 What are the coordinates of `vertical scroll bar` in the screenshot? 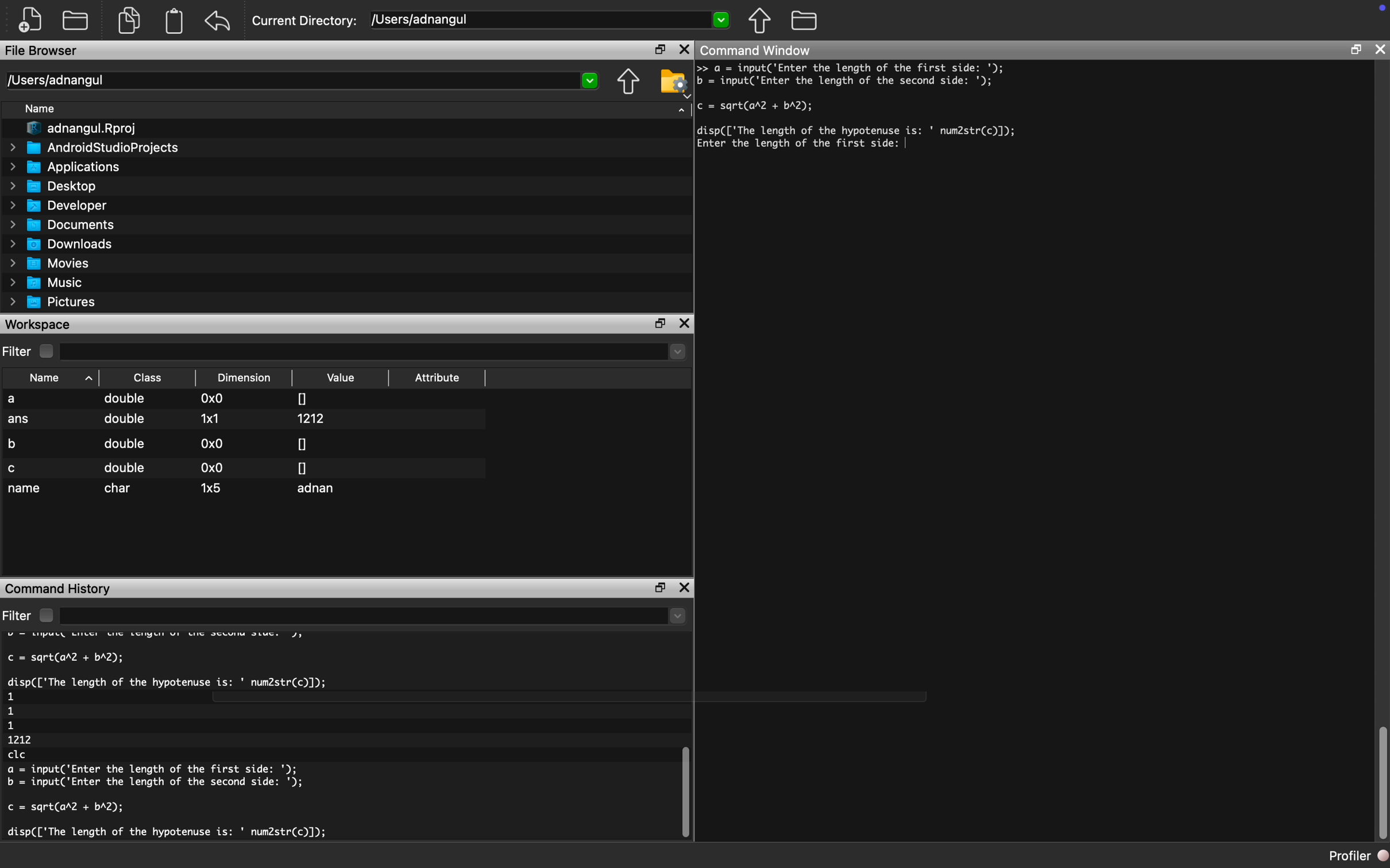 It's located at (1382, 784).